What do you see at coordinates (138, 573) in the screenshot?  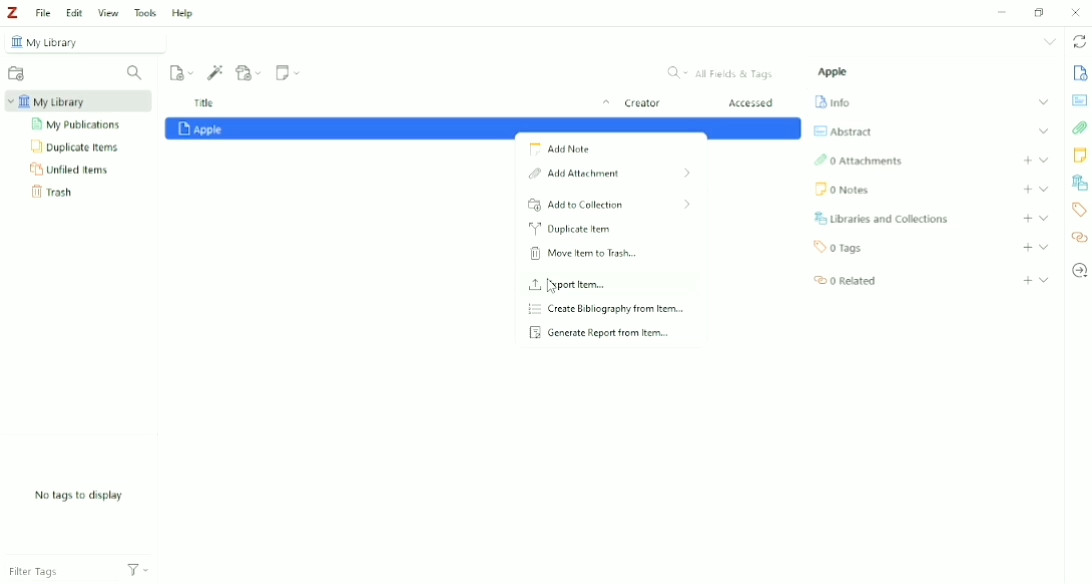 I see `Actions` at bounding box center [138, 573].